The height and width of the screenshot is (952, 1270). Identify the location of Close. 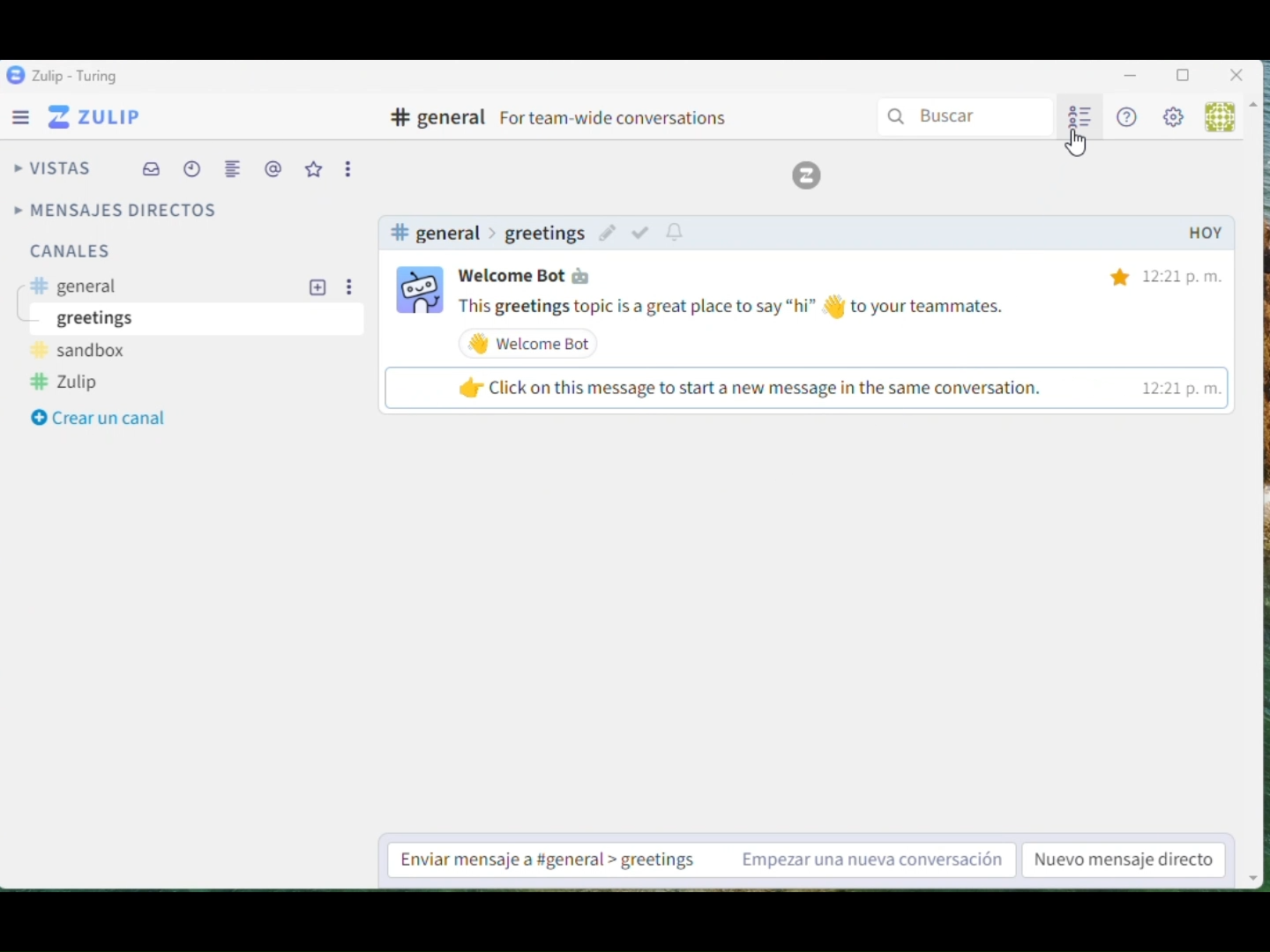
(1236, 73).